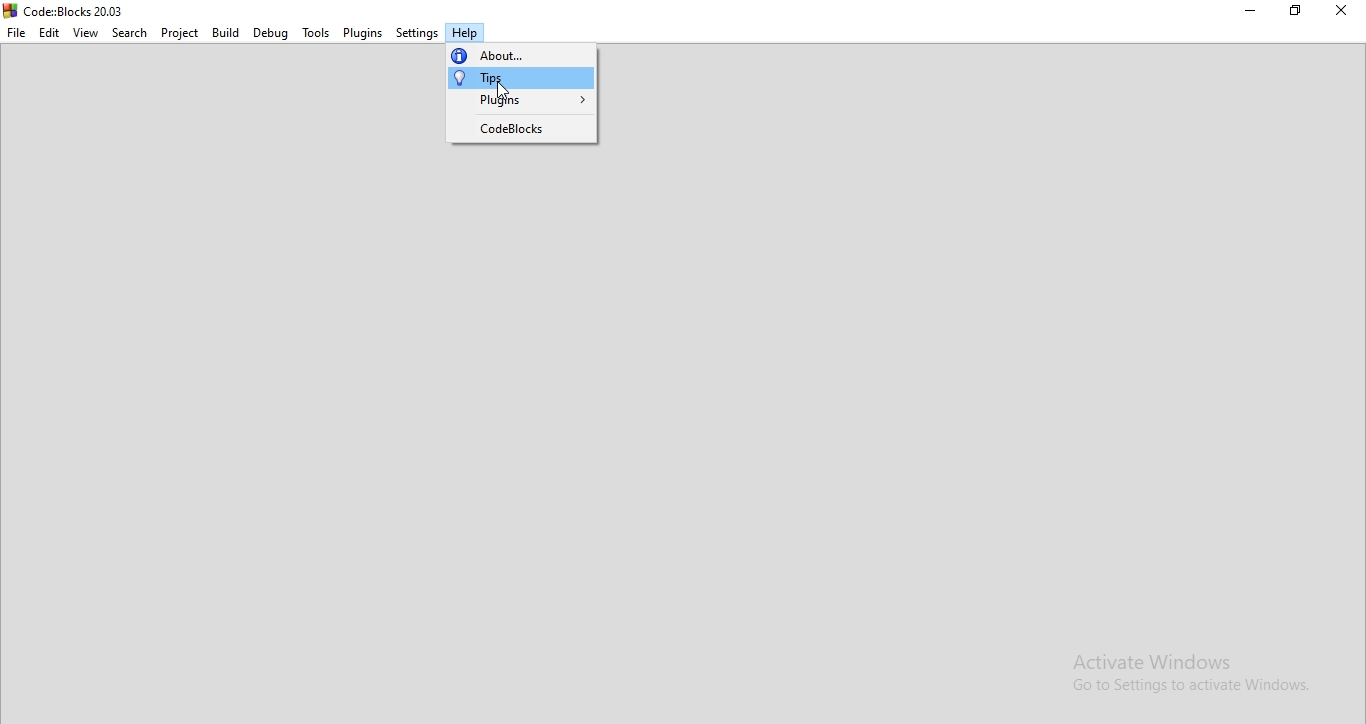 This screenshot has height=724, width=1366. What do you see at coordinates (463, 34) in the screenshot?
I see `Help` at bounding box center [463, 34].